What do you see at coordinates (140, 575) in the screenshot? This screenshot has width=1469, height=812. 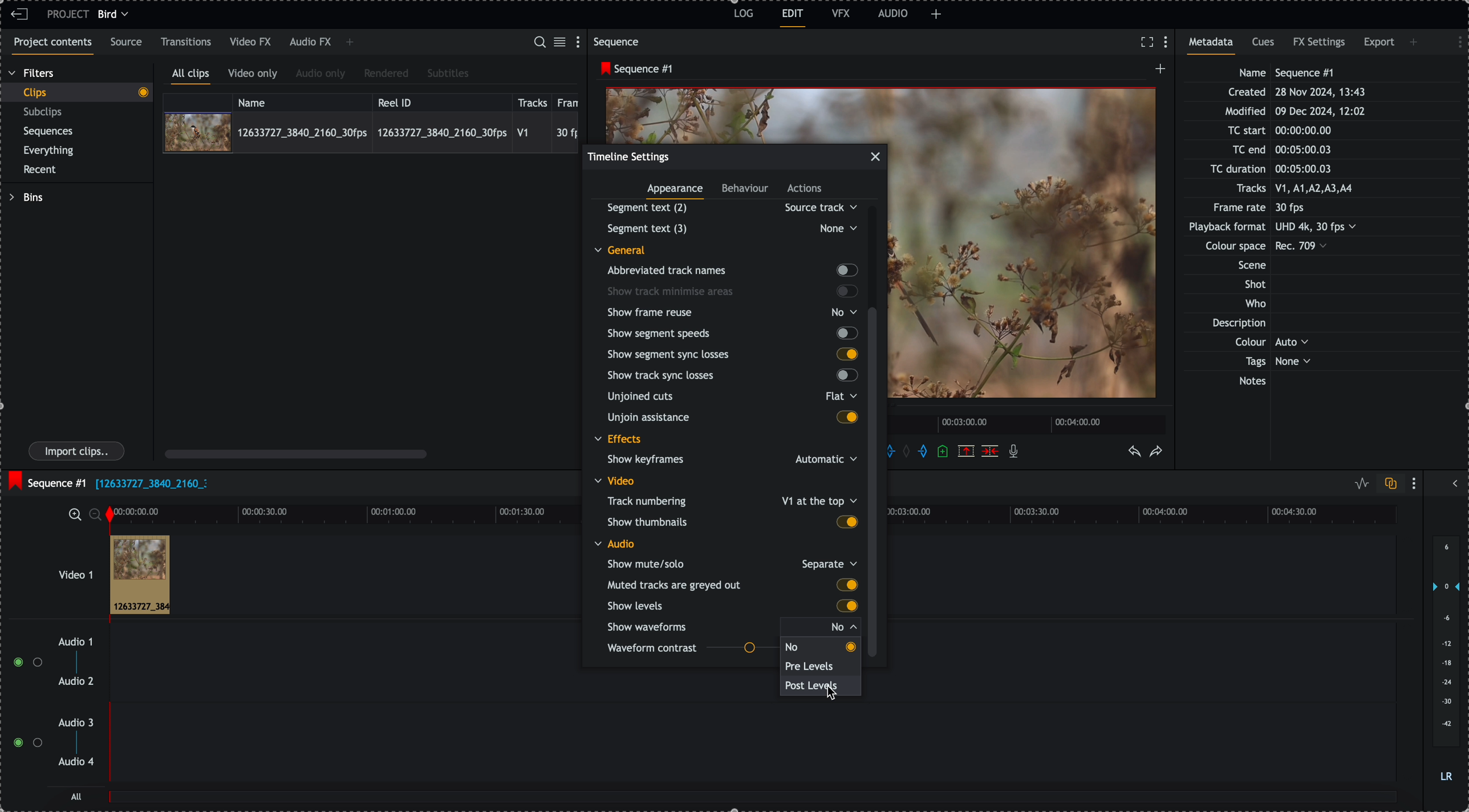 I see `clip` at bounding box center [140, 575].